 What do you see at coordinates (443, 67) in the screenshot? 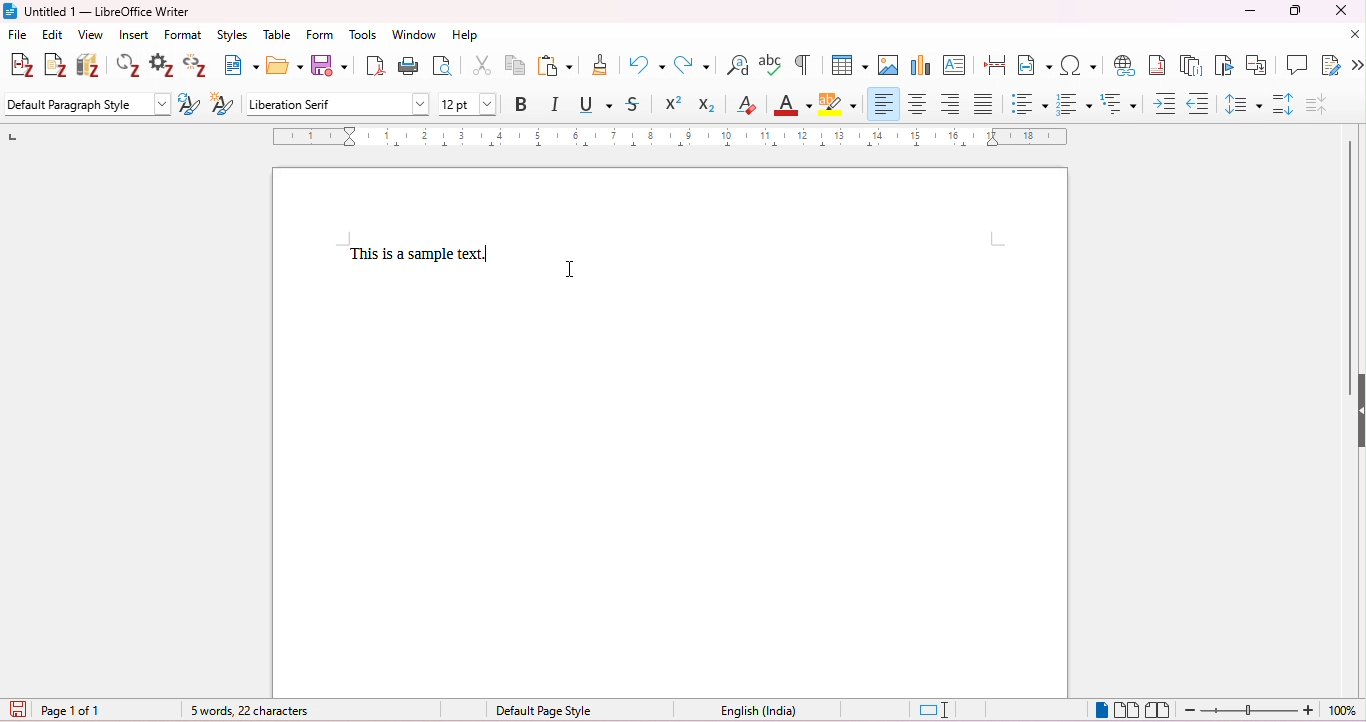
I see `toggle print preview` at bounding box center [443, 67].